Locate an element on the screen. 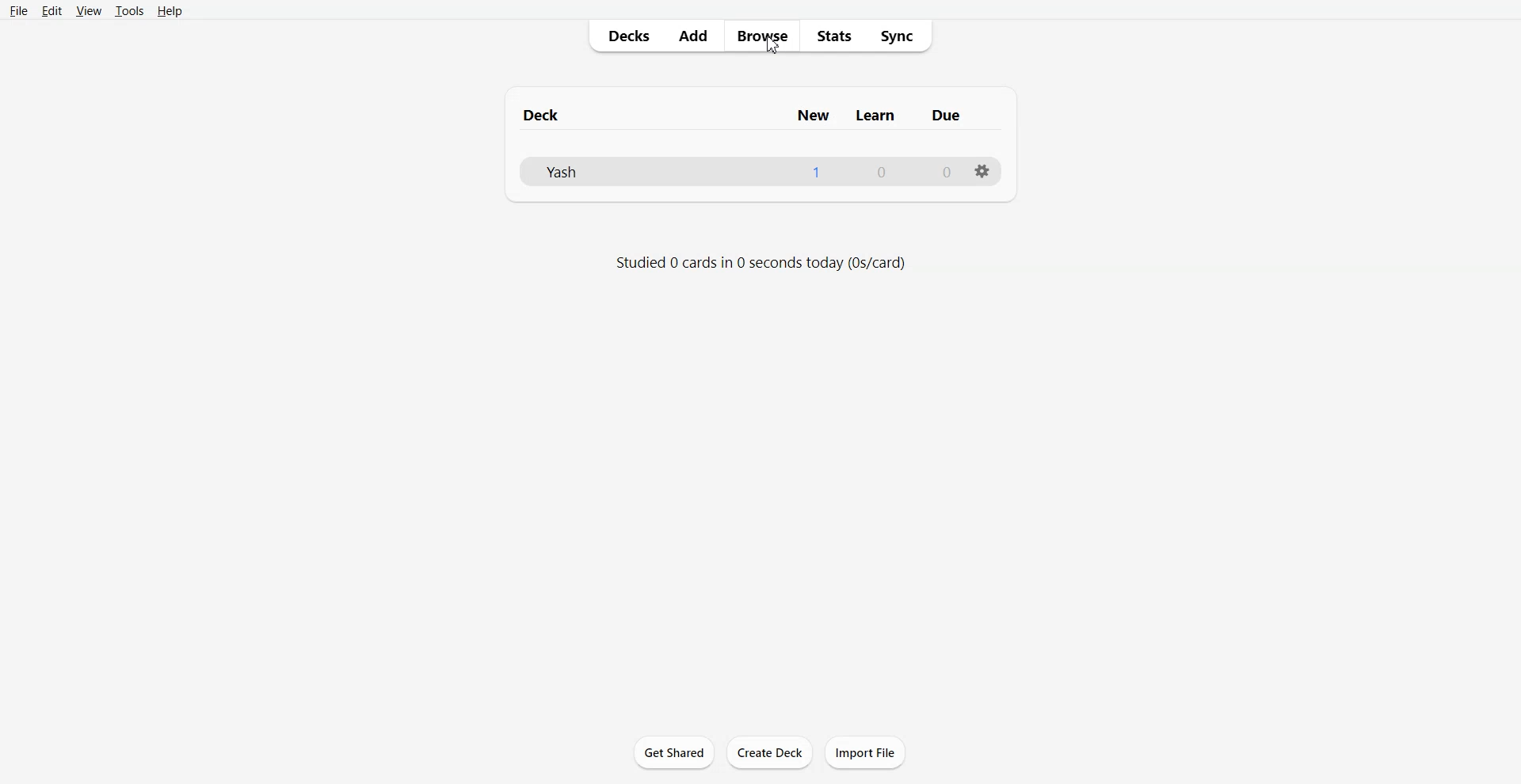 The width and height of the screenshot is (1521, 784). New is located at coordinates (812, 116).